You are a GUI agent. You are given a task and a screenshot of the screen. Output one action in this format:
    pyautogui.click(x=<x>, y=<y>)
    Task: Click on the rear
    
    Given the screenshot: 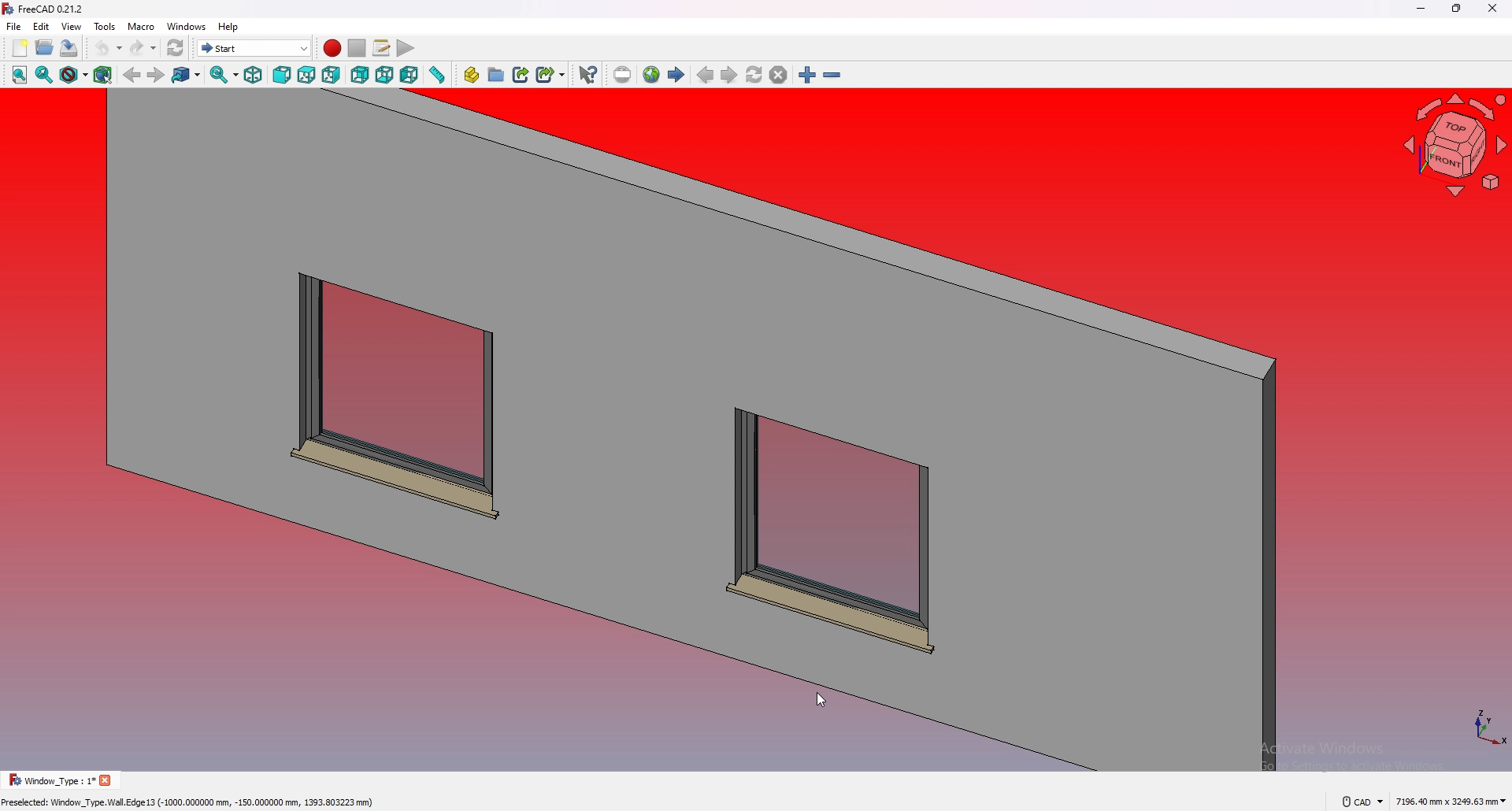 What is the action you would take?
    pyautogui.click(x=360, y=76)
    